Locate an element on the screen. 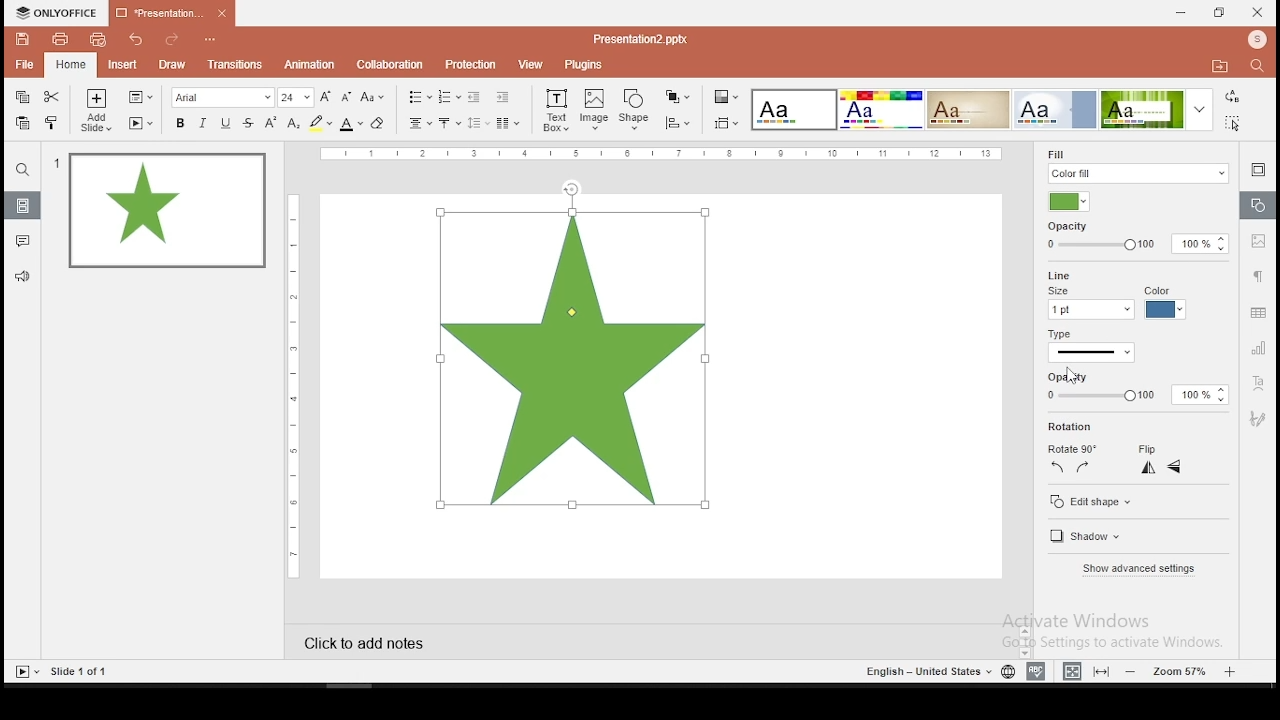 The width and height of the screenshot is (1280, 720). line type is located at coordinates (1091, 347).